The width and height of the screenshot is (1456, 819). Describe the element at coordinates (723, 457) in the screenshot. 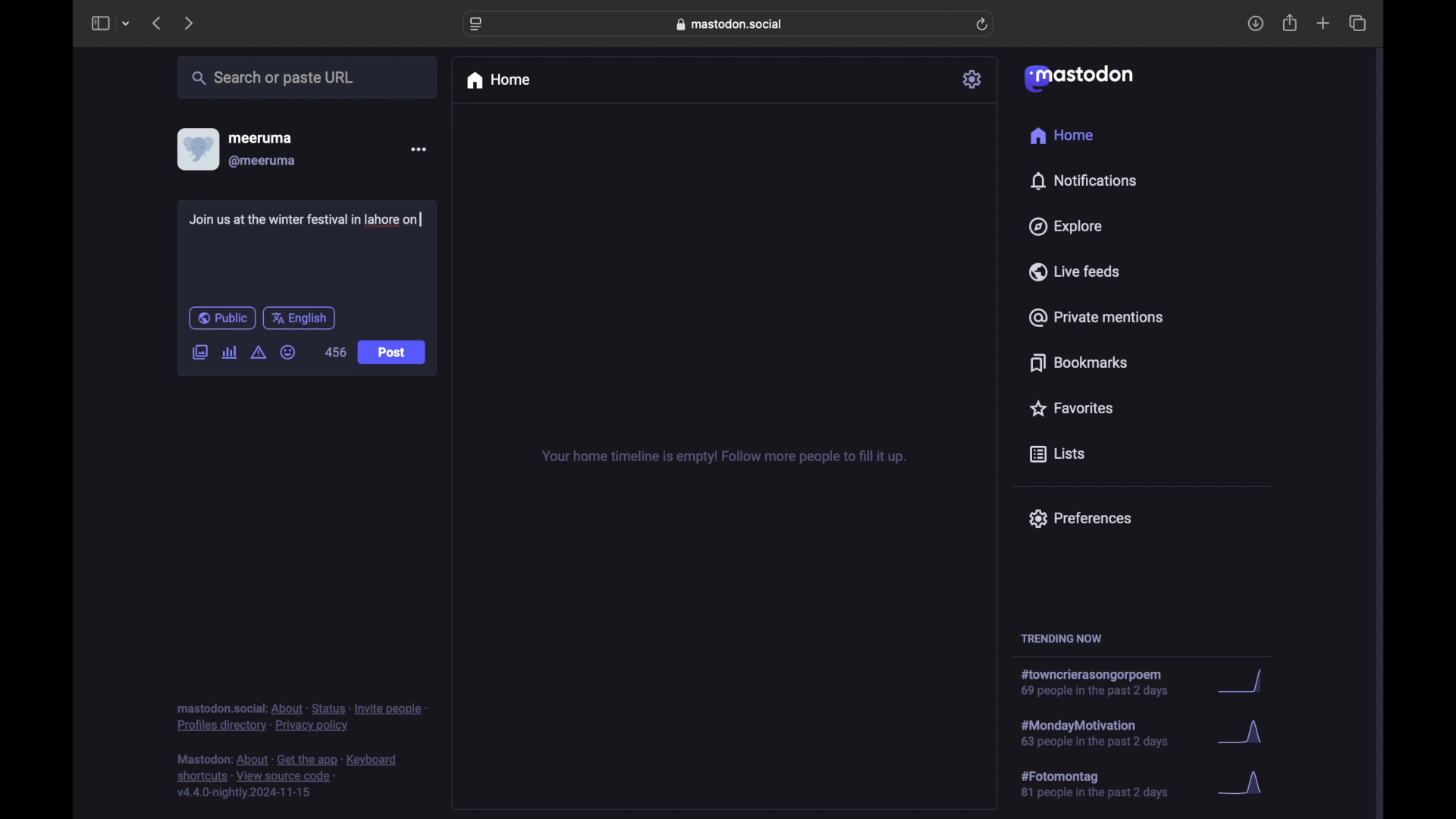

I see `your home timeline is empty! follow more people to fill it up` at that location.